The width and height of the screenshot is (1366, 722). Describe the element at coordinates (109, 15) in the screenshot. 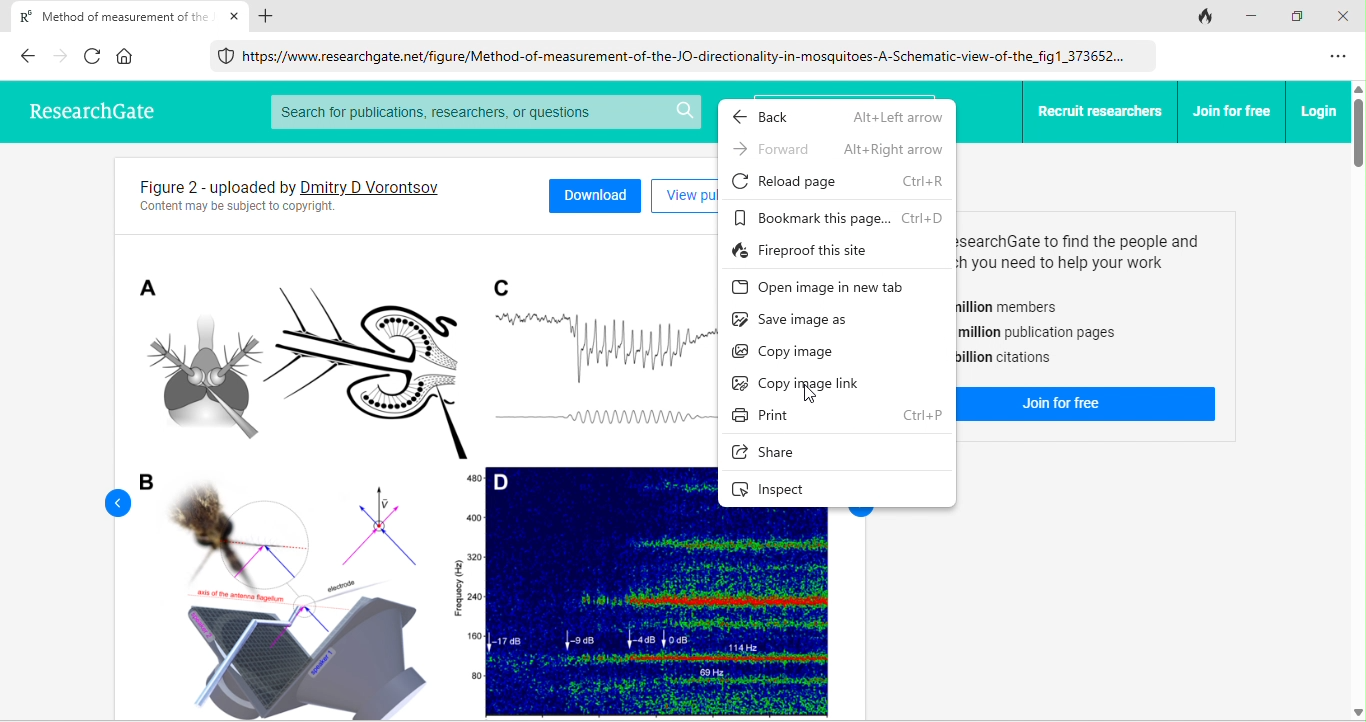

I see `Metho of measurement - tab name ` at that location.